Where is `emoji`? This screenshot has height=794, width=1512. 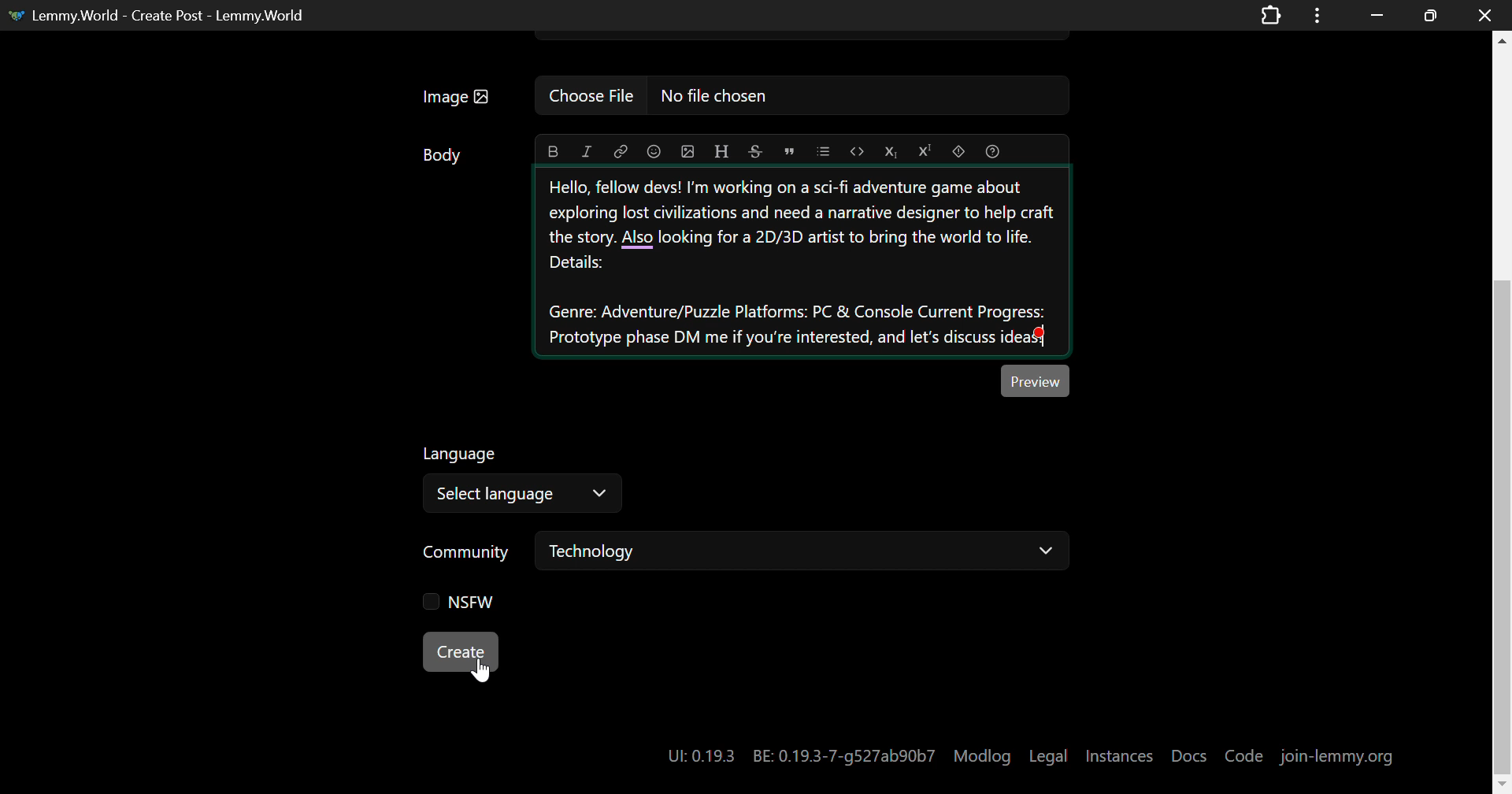
emoji is located at coordinates (654, 150).